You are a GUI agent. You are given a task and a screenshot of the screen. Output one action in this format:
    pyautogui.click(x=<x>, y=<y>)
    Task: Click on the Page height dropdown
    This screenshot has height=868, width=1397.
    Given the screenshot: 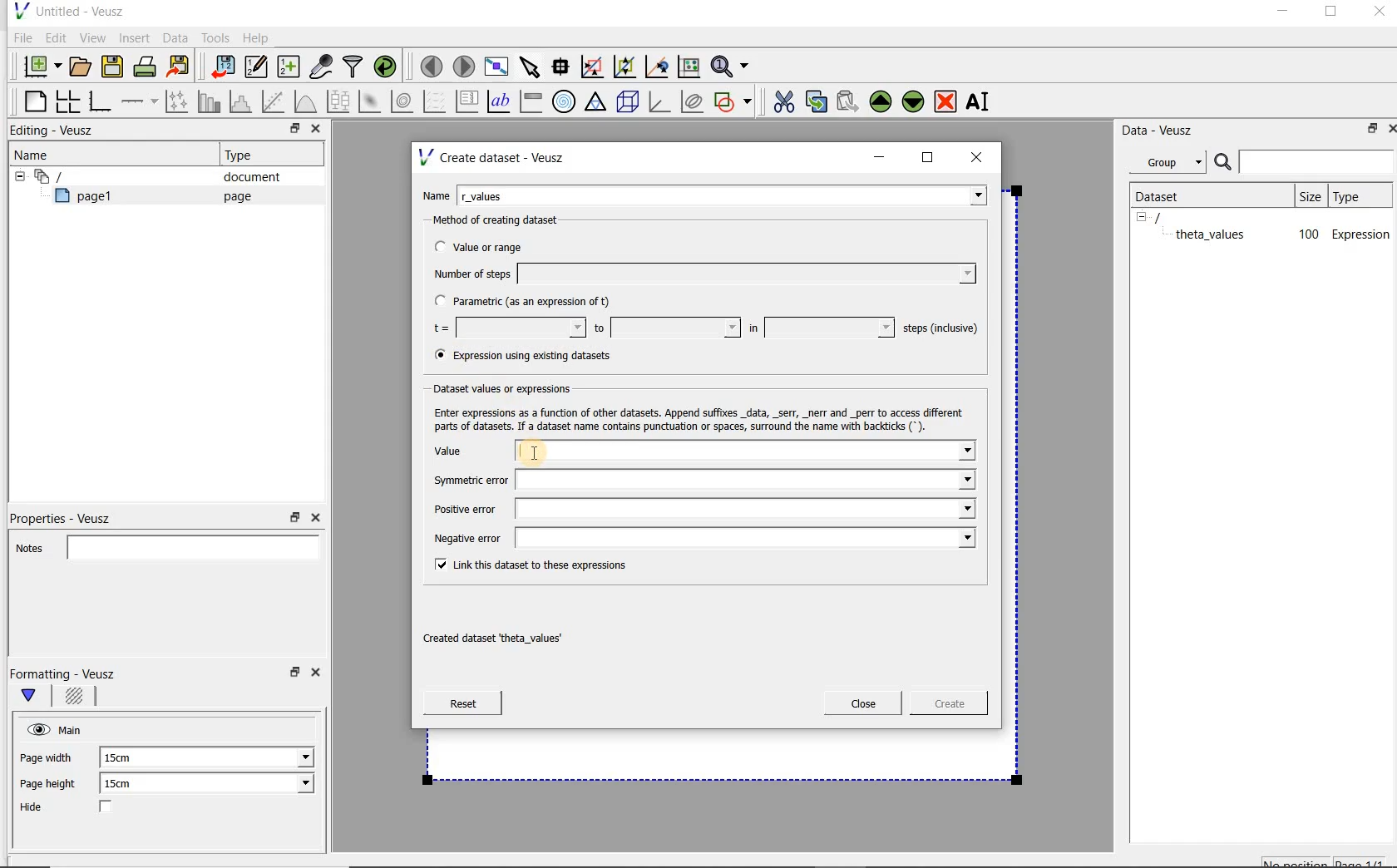 What is the action you would take?
    pyautogui.click(x=294, y=785)
    